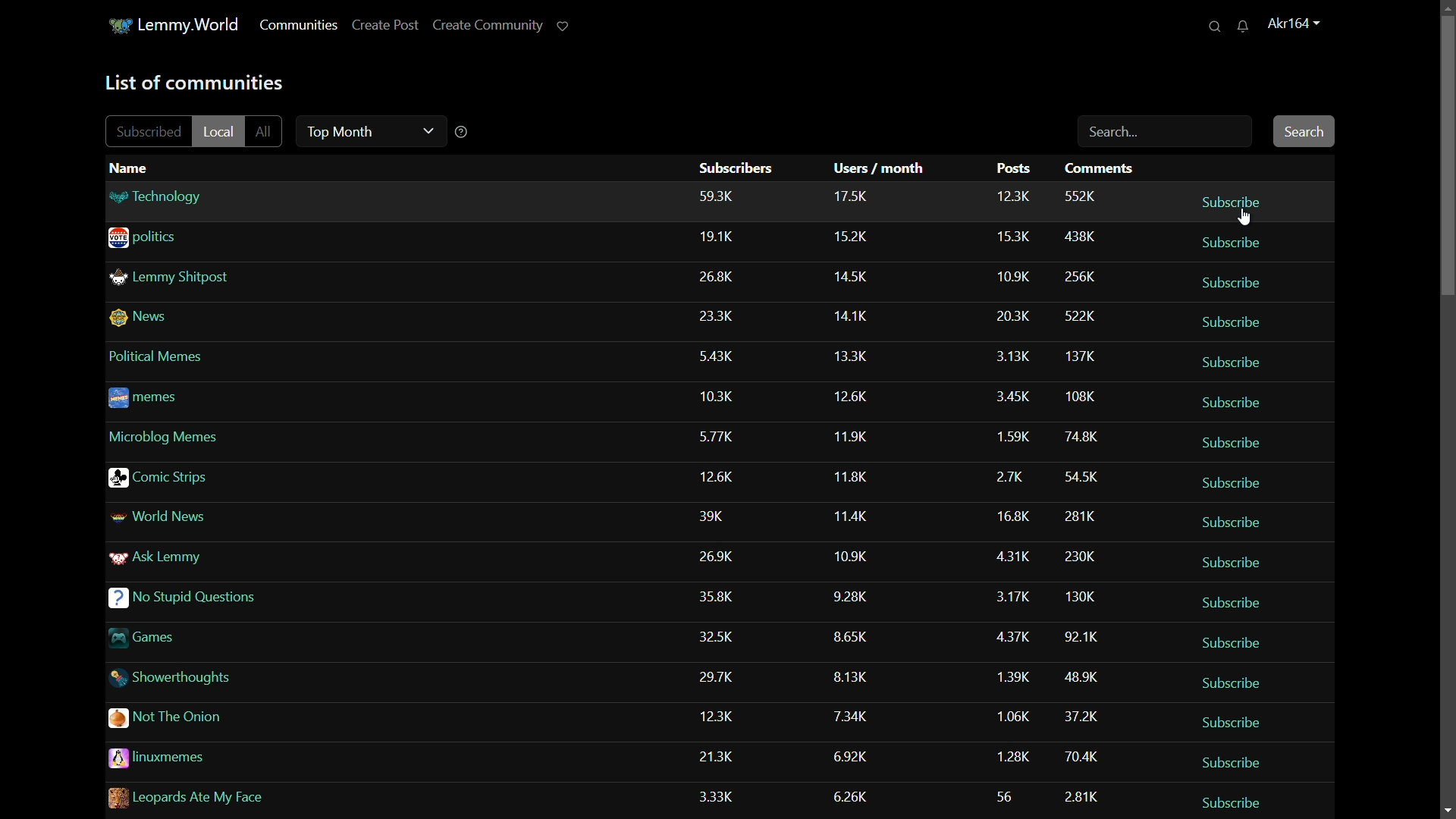 The height and width of the screenshot is (819, 1456). Describe the element at coordinates (345, 196) in the screenshot. I see `communities name` at that location.